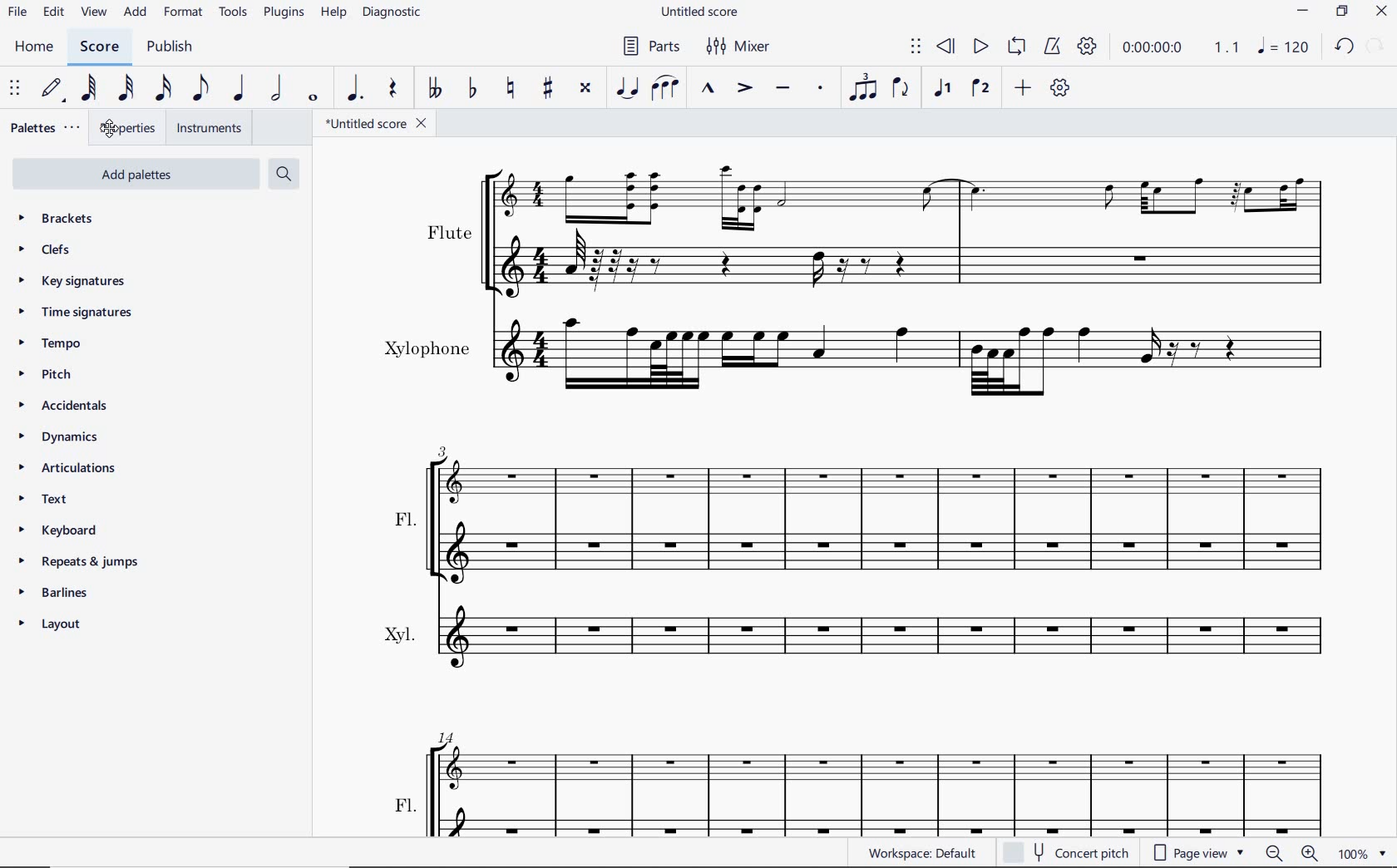 The image size is (1397, 868). What do you see at coordinates (182, 13) in the screenshot?
I see `FORMAT` at bounding box center [182, 13].